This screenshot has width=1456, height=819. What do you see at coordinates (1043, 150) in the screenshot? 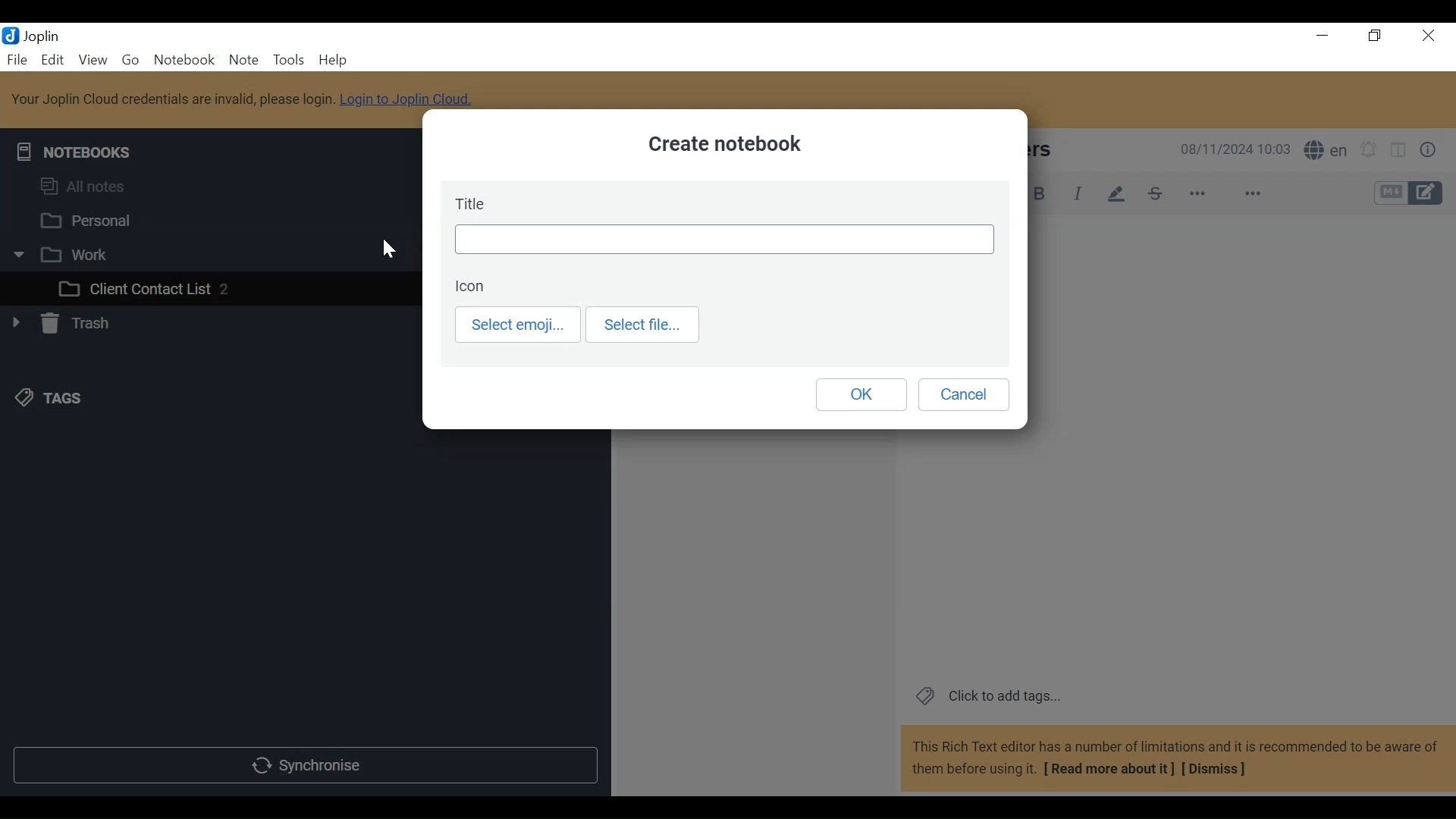
I see `Sammy Peters` at bounding box center [1043, 150].